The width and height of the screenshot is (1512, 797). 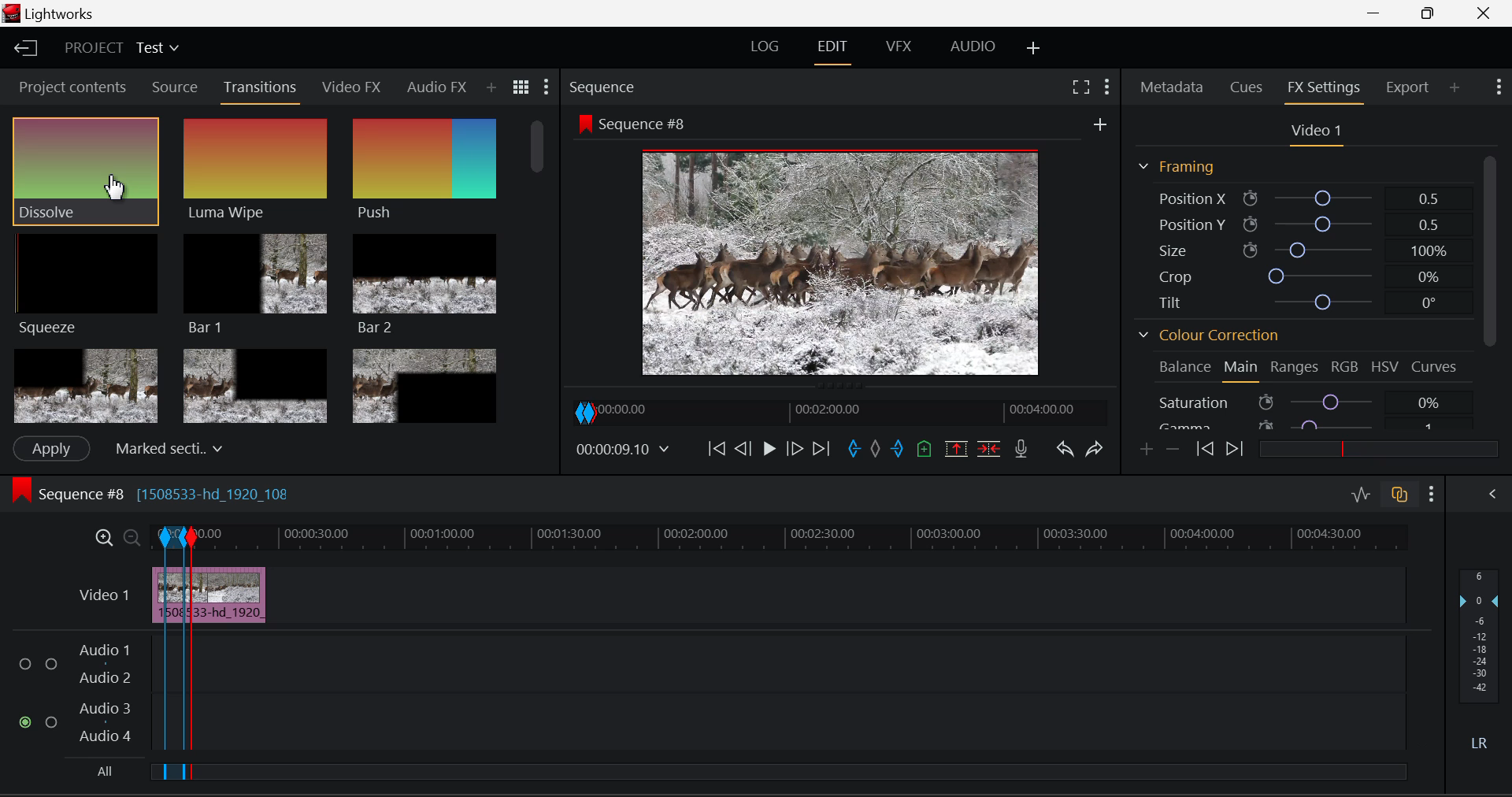 I want to click on Remove Marked Section, so click(x=958, y=448).